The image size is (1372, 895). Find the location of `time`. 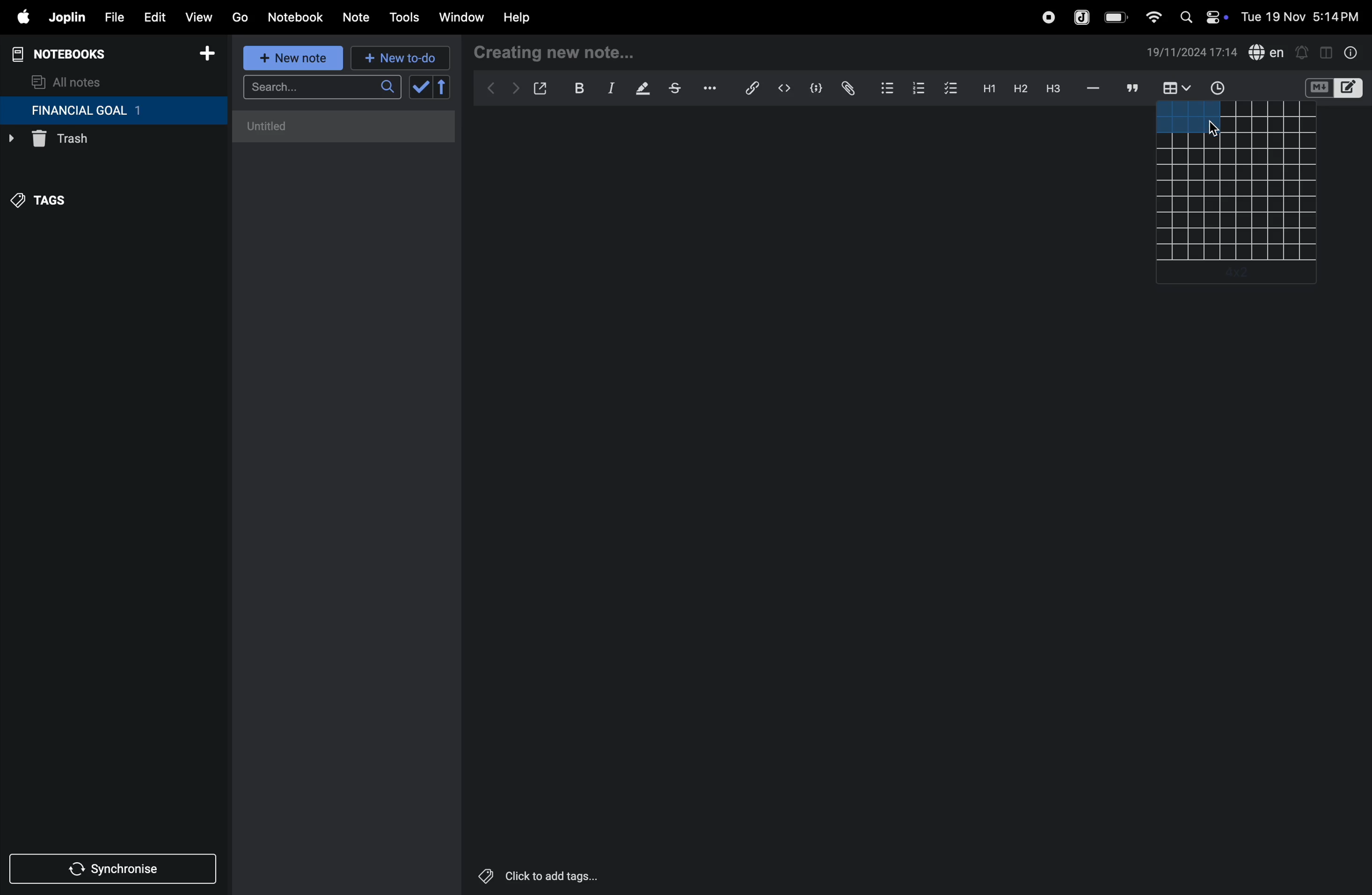

time is located at coordinates (1225, 88).